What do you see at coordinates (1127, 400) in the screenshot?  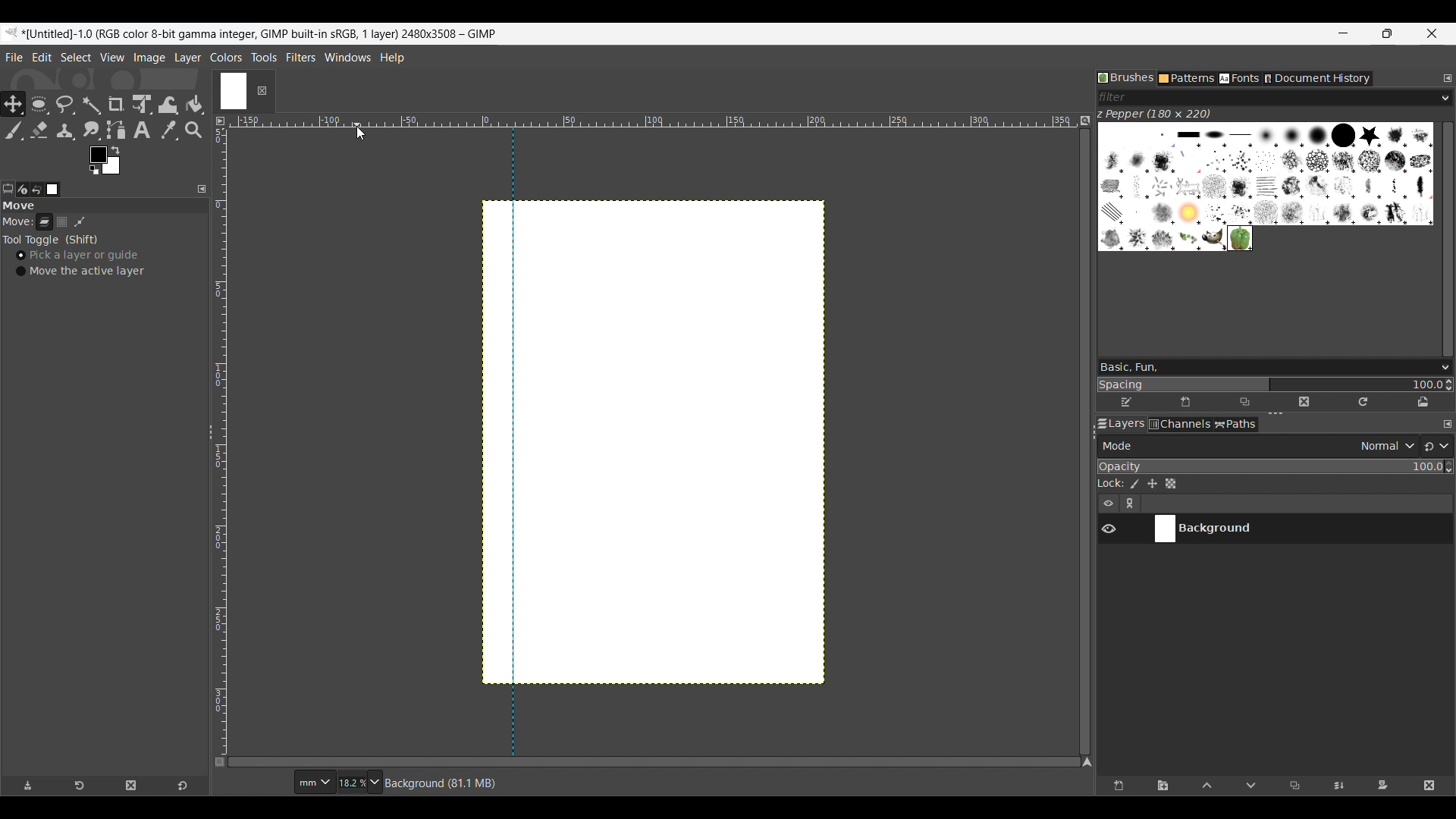 I see `Edit brush` at bounding box center [1127, 400].